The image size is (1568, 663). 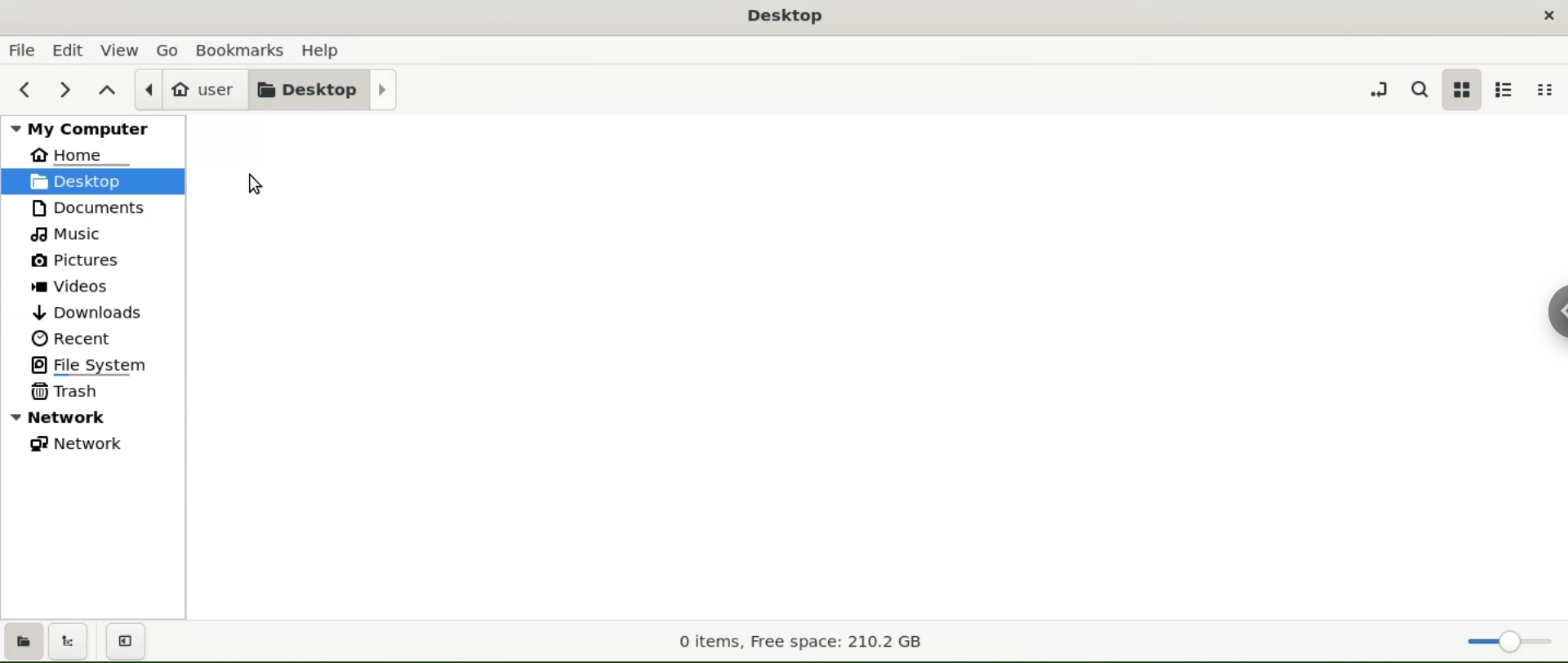 I want to click on close, so click(x=1549, y=13).